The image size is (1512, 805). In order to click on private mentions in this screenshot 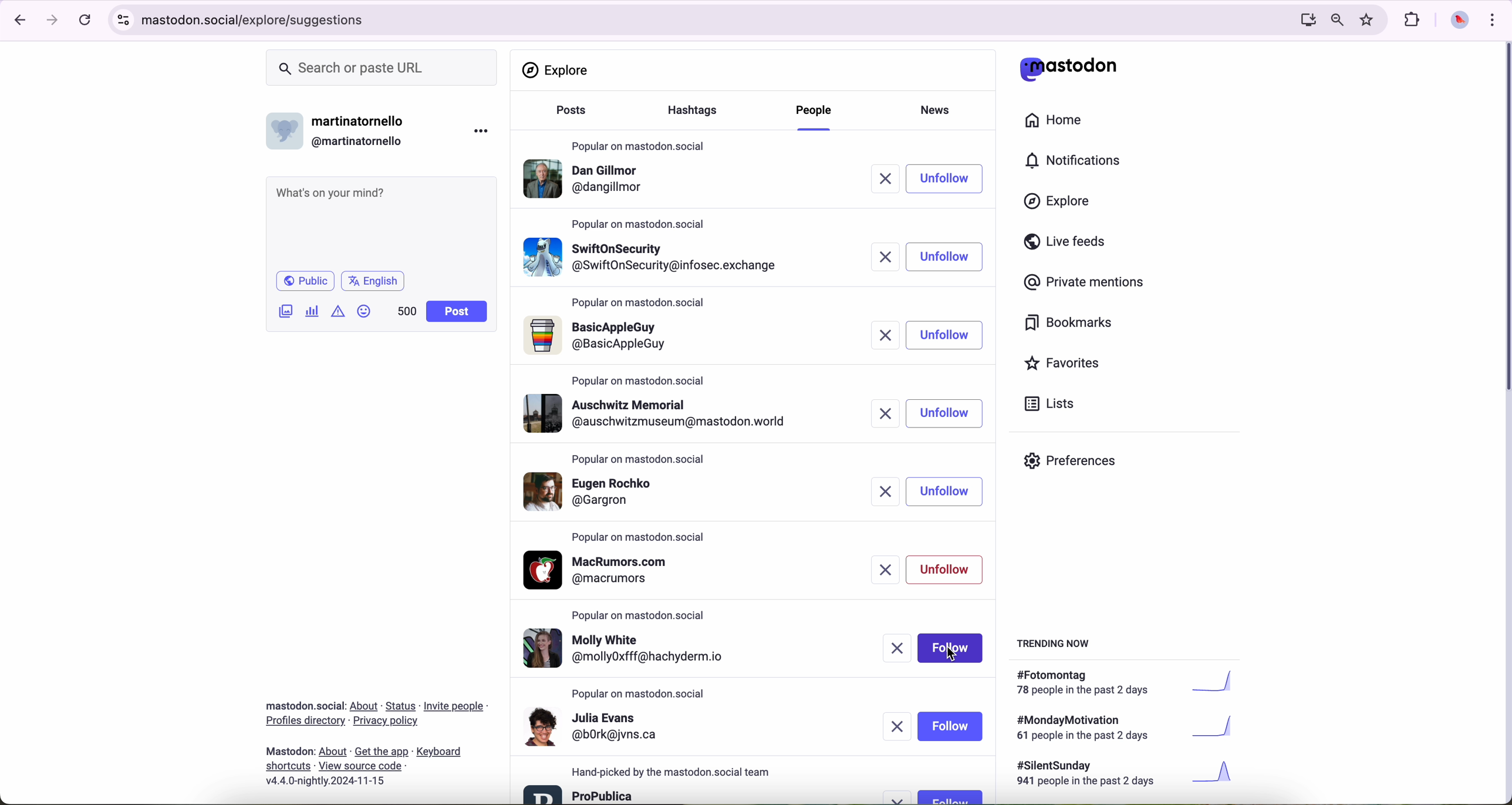, I will do `click(1085, 283)`.